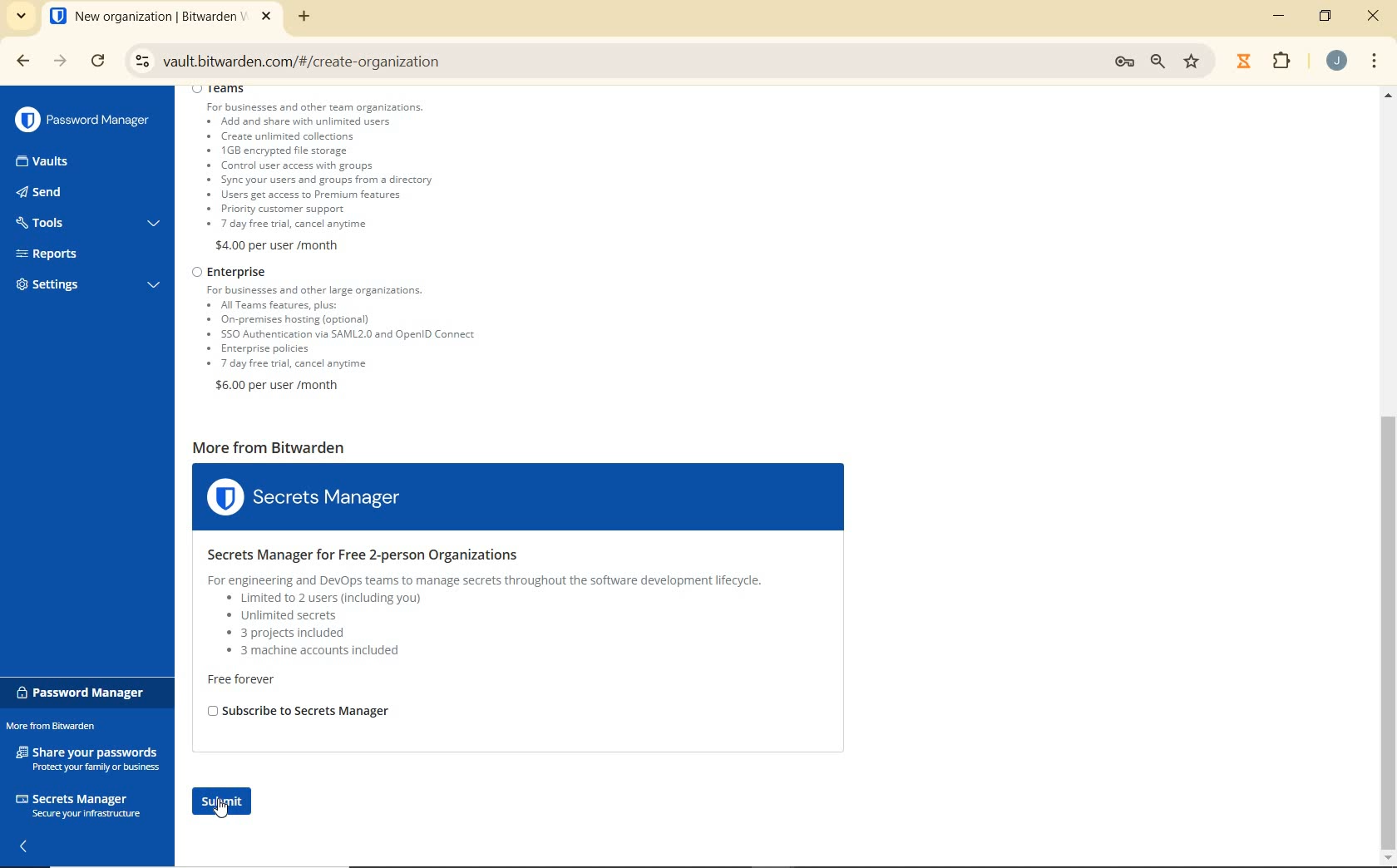  Describe the element at coordinates (15, 61) in the screenshot. I see `BACK` at that location.